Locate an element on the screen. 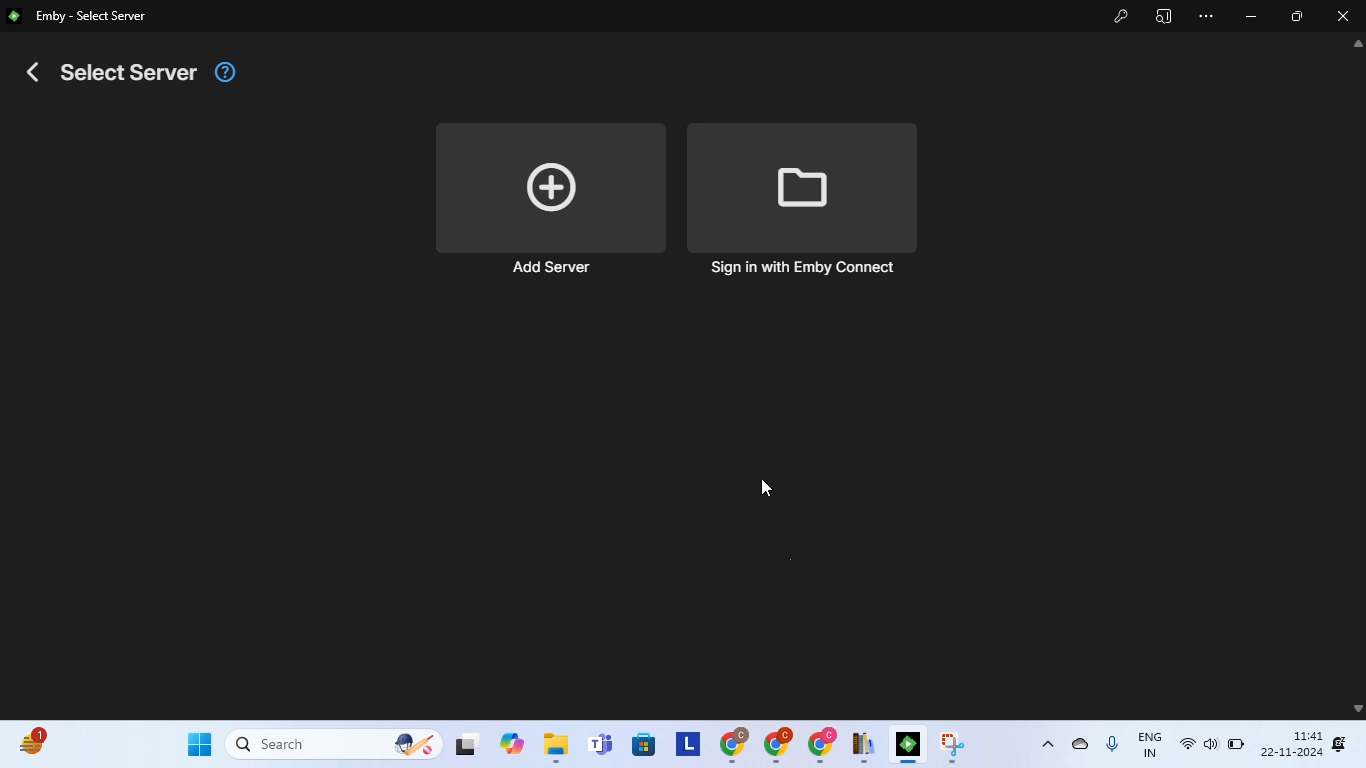 The height and width of the screenshot is (768, 1366). add server is located at coordinates (548, 201).